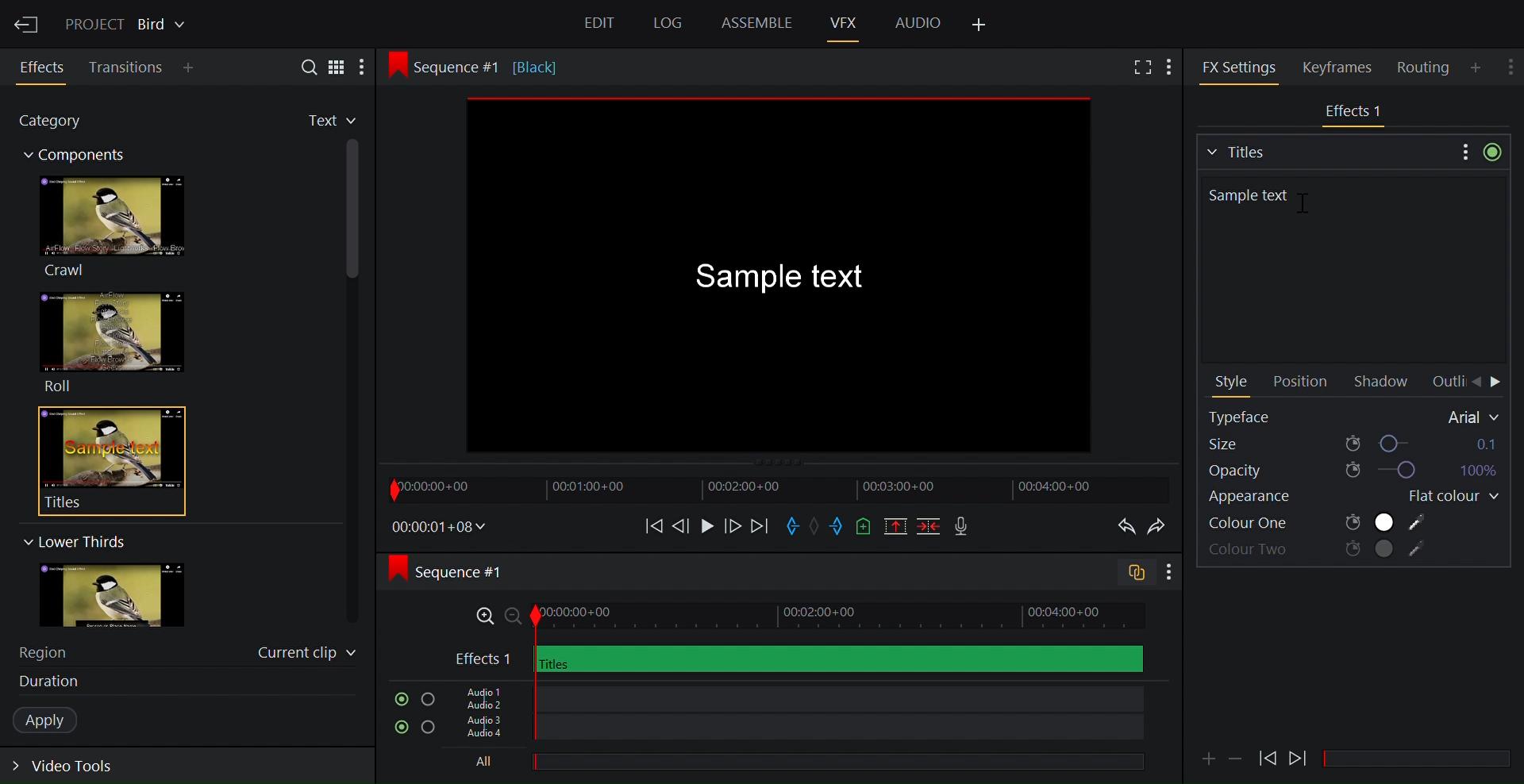  I want to click on Play Forward, so click(1268, 758).